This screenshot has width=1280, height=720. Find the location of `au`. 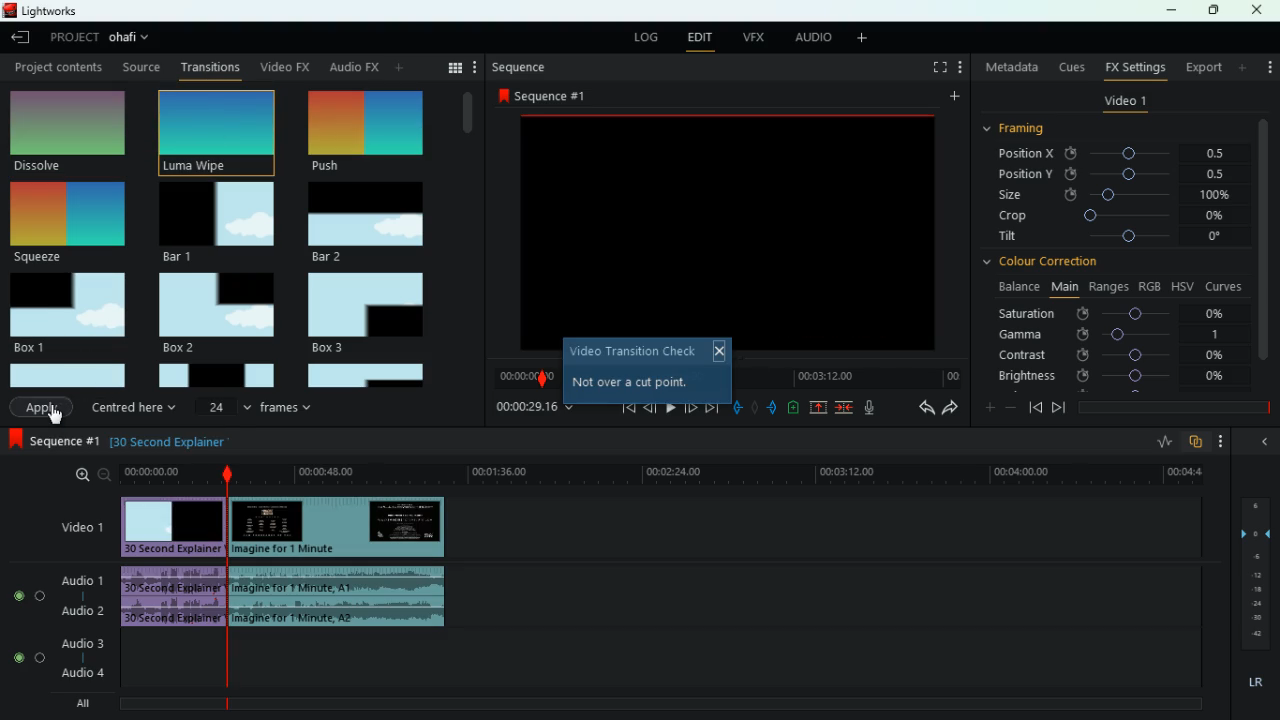

au is located at coordinates (334, 67).